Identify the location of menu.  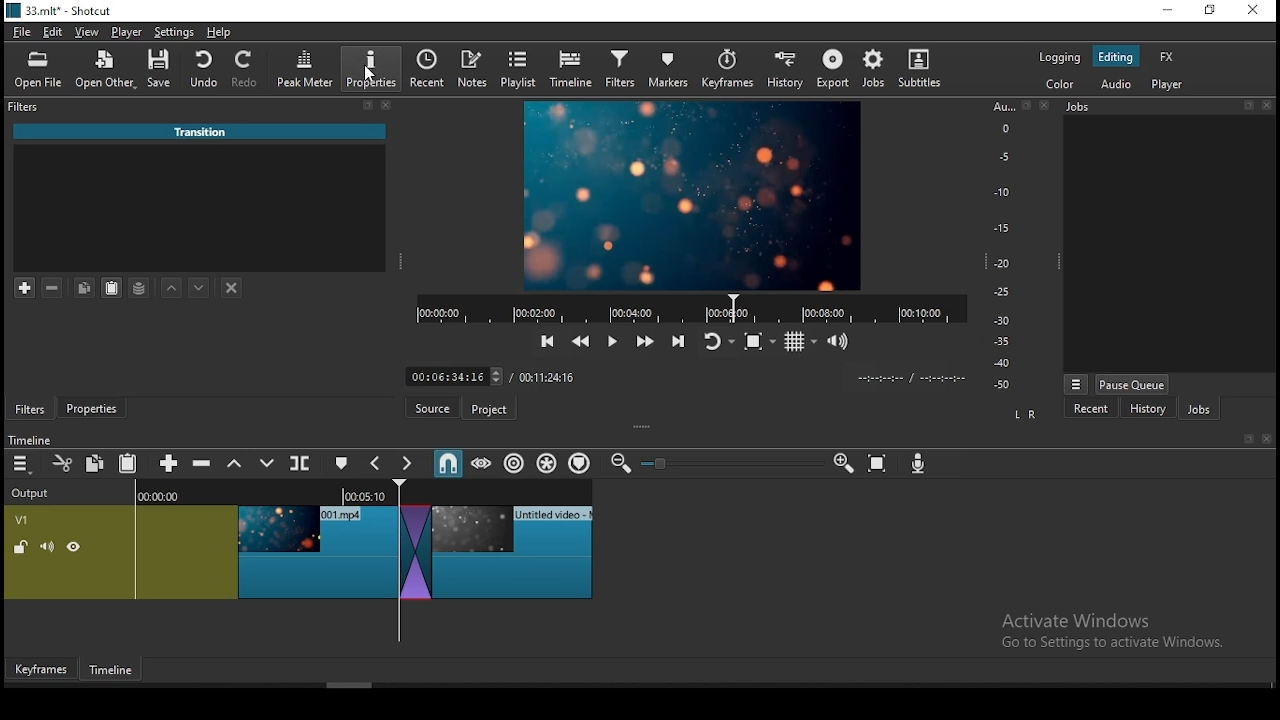
(21, 464).